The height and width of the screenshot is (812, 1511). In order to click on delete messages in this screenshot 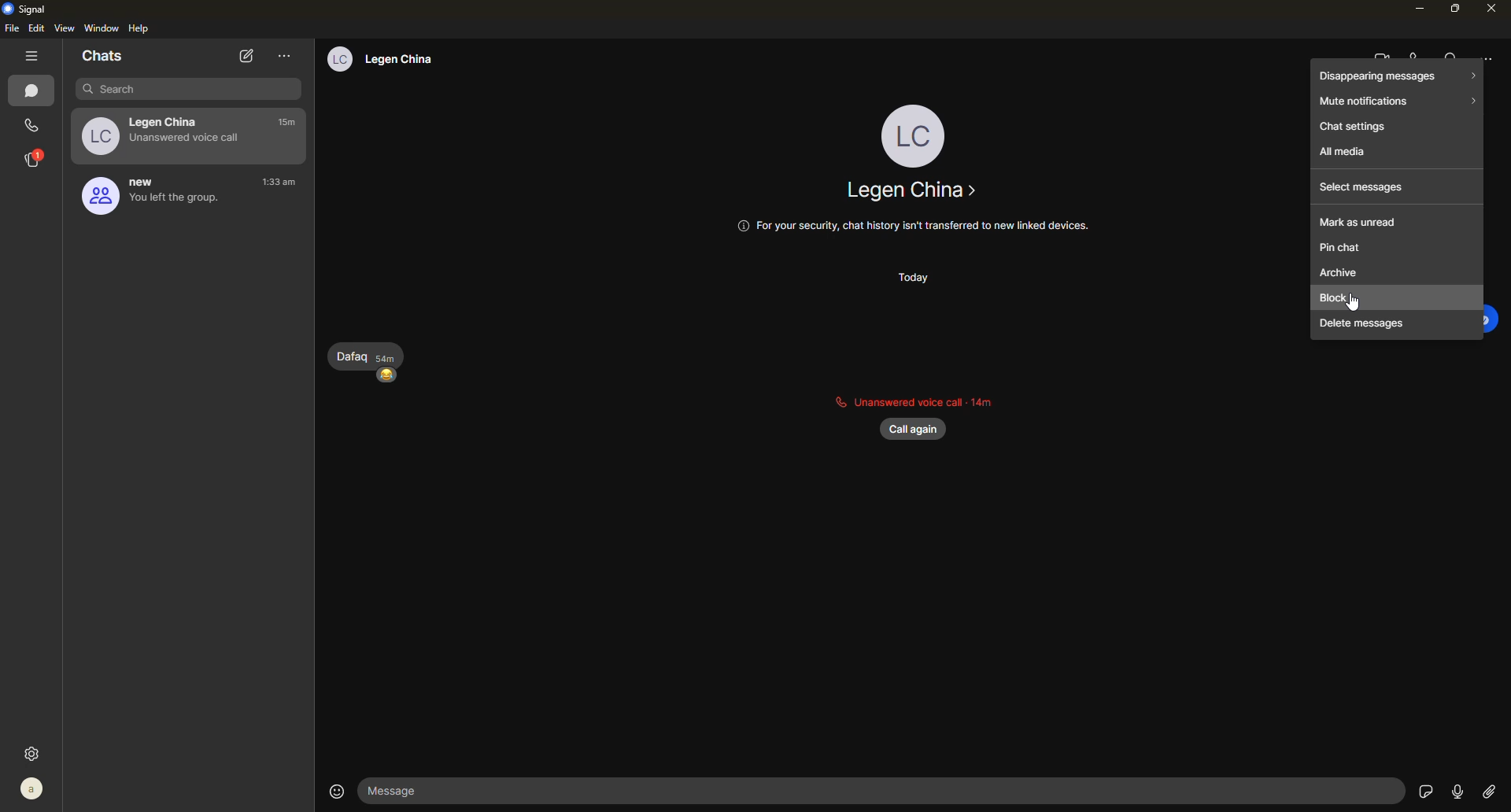, I will do `click(1360, 323)`.